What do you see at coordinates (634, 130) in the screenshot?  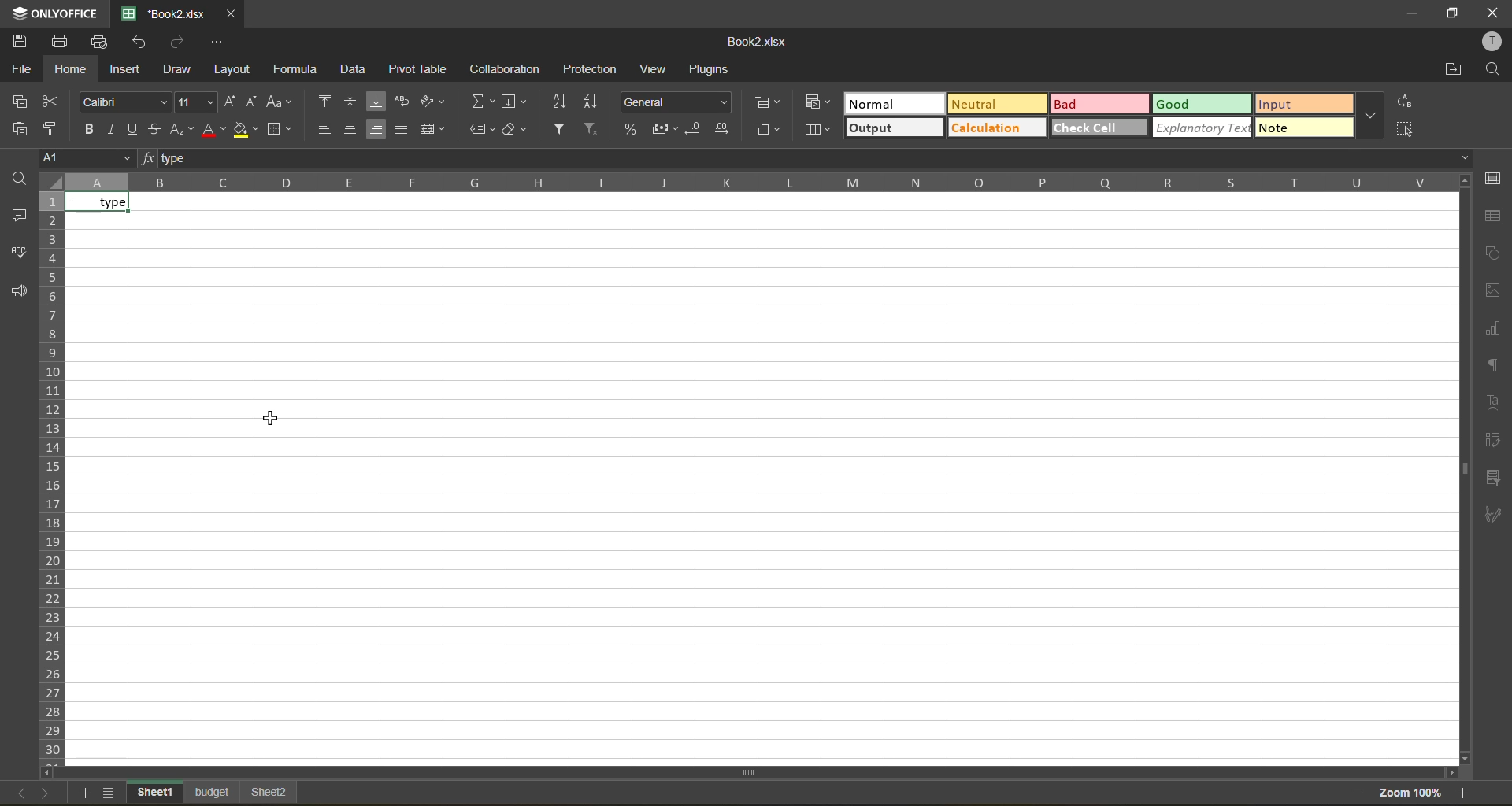 I see `percent` at bounding box center [634, 130].